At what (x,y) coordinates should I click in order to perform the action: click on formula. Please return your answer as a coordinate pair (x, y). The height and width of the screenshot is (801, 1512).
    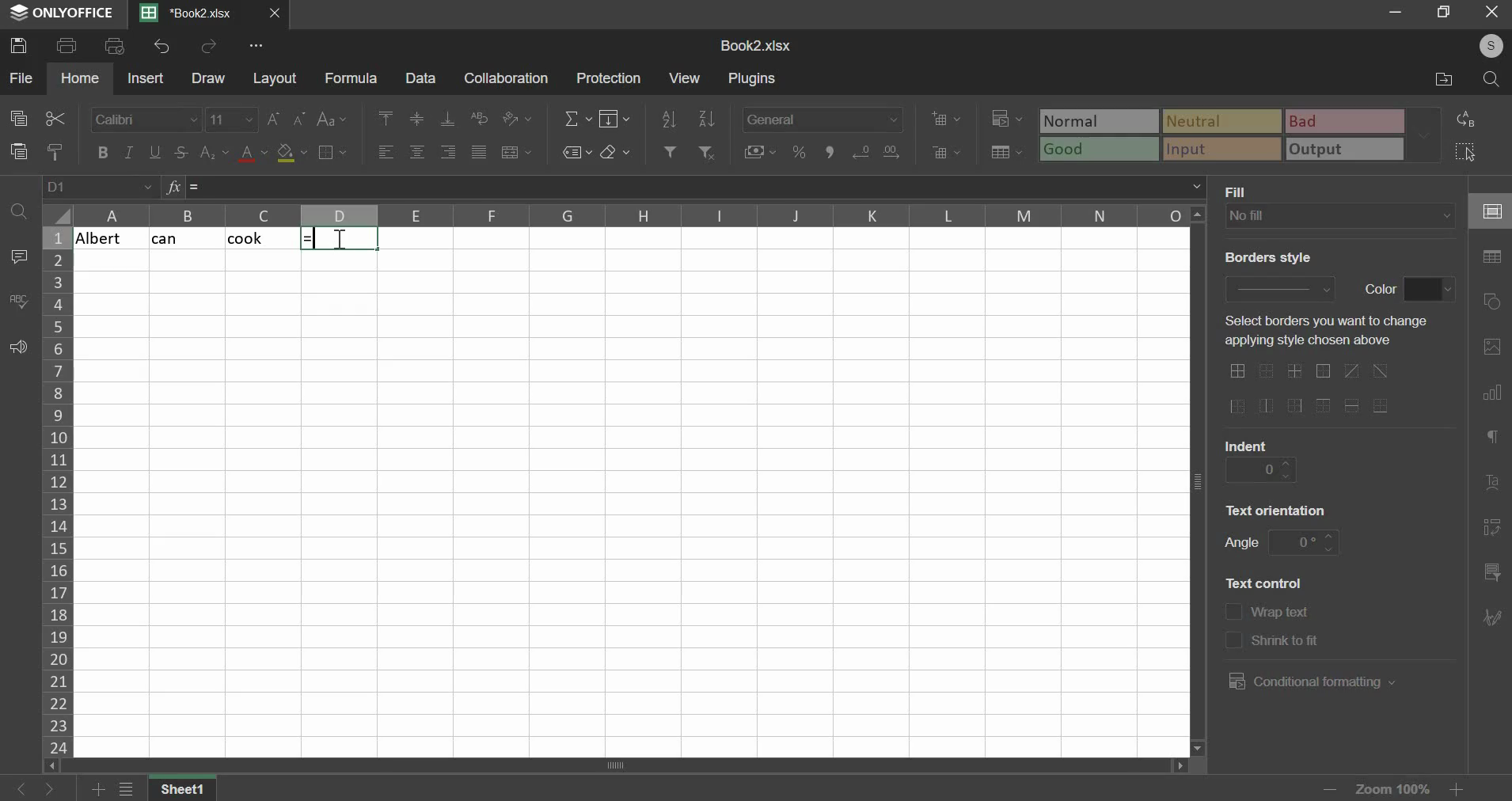
    Looking at the image, I should click on (351, 79).